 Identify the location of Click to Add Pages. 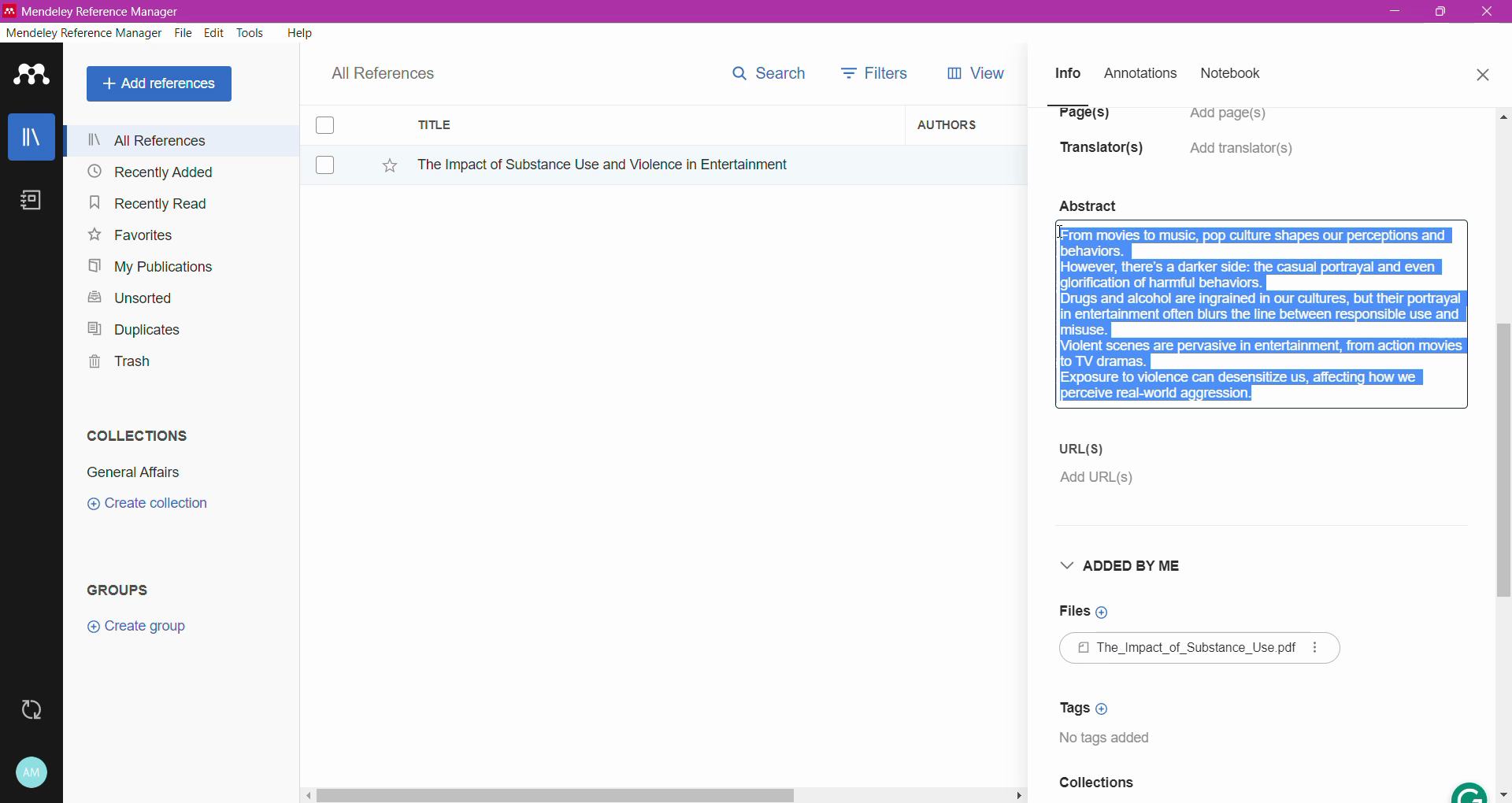
(1236, 121).